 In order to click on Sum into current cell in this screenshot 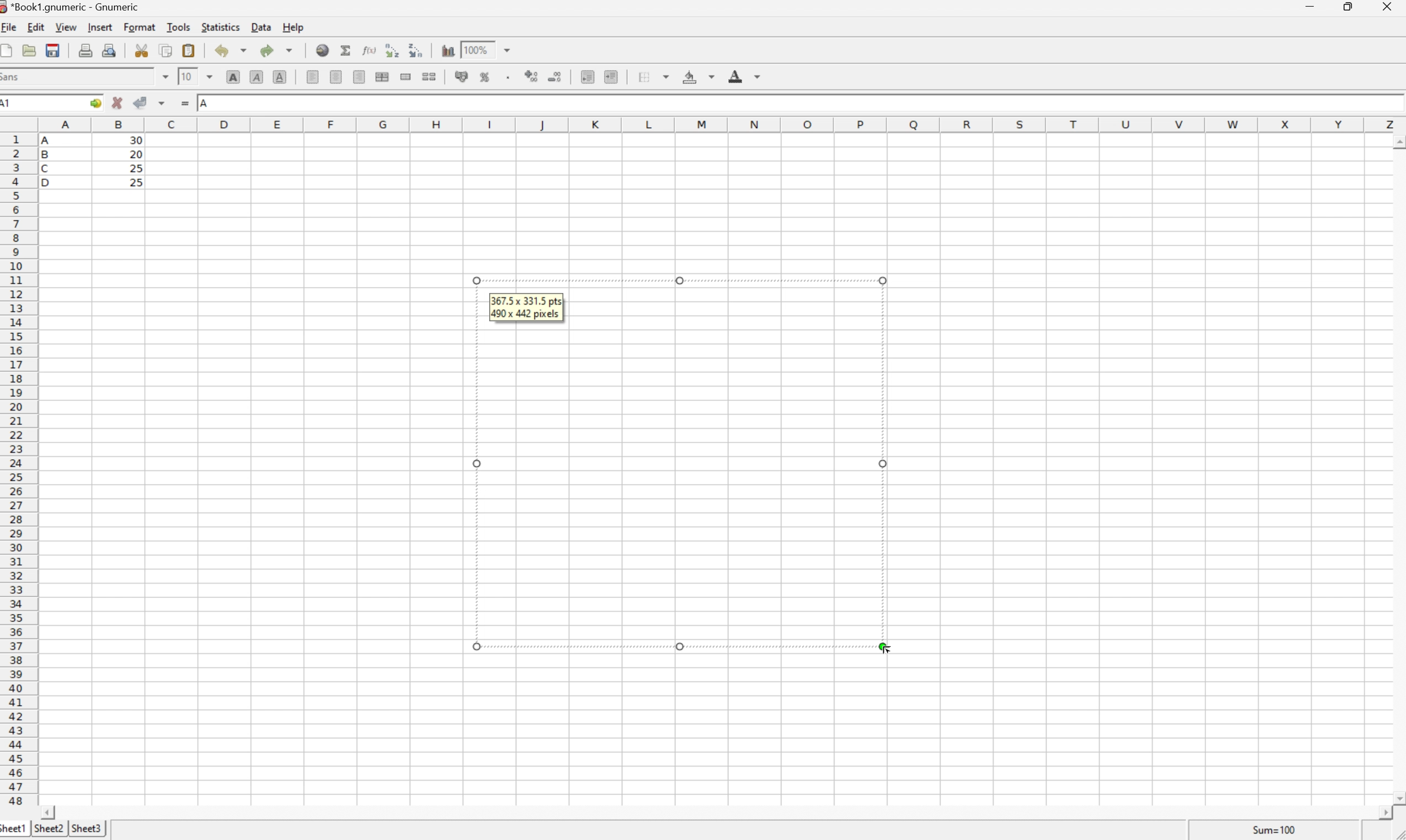, I will do `click(347, 49)`.